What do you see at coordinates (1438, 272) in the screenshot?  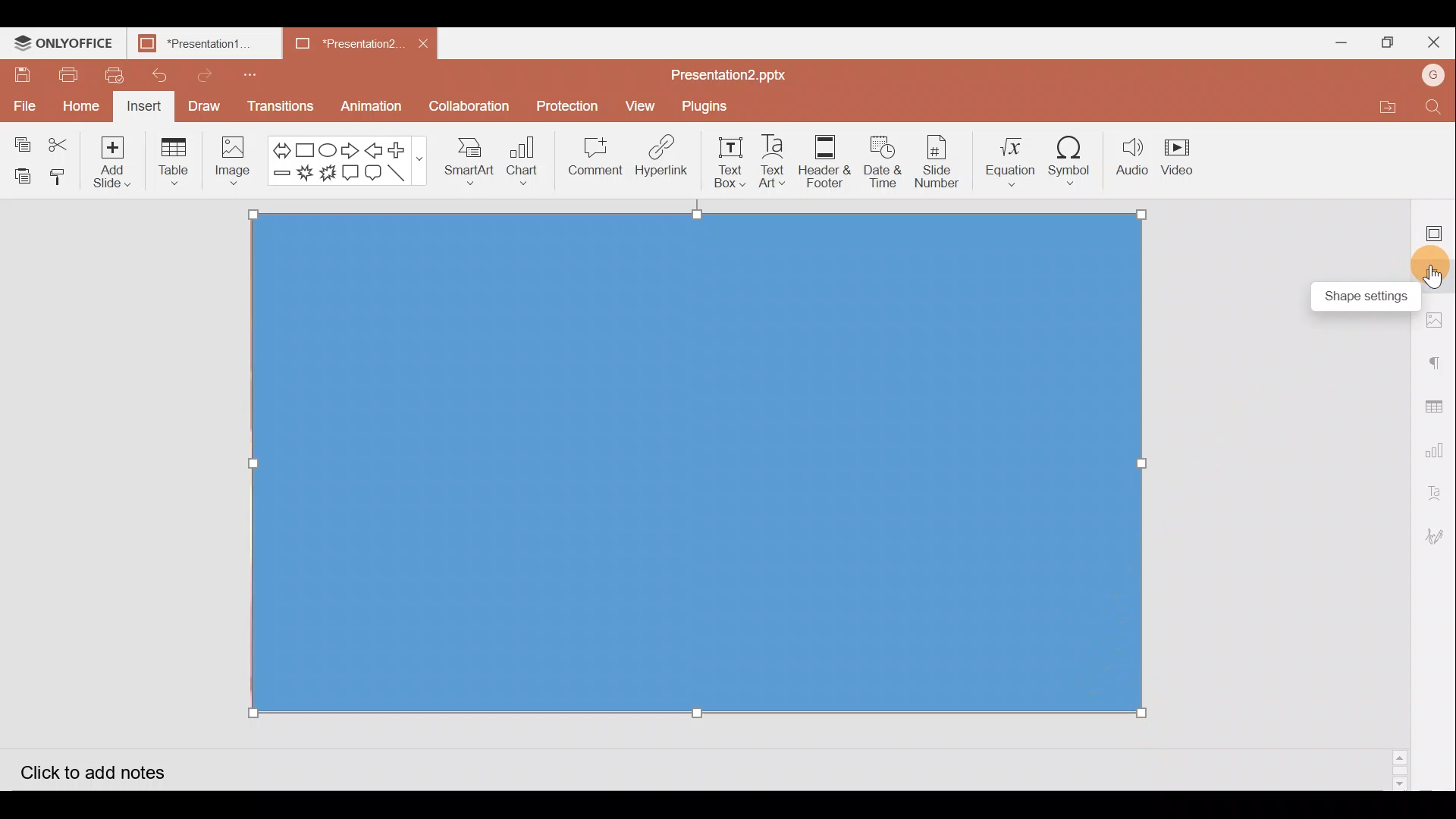 I see `Shape settings` at bounding box center [1438, 272].